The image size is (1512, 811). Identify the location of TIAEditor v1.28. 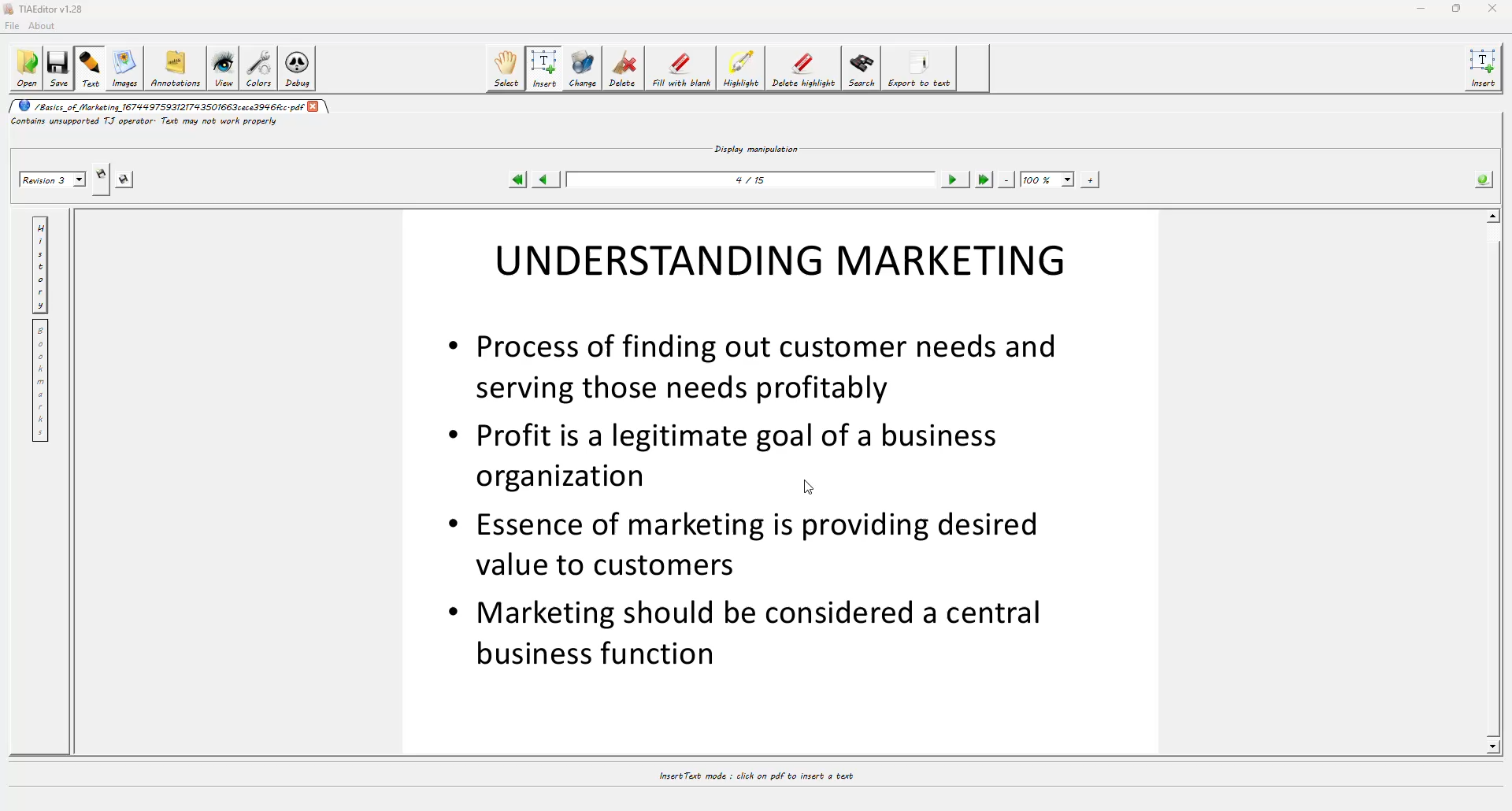
(50, 9).